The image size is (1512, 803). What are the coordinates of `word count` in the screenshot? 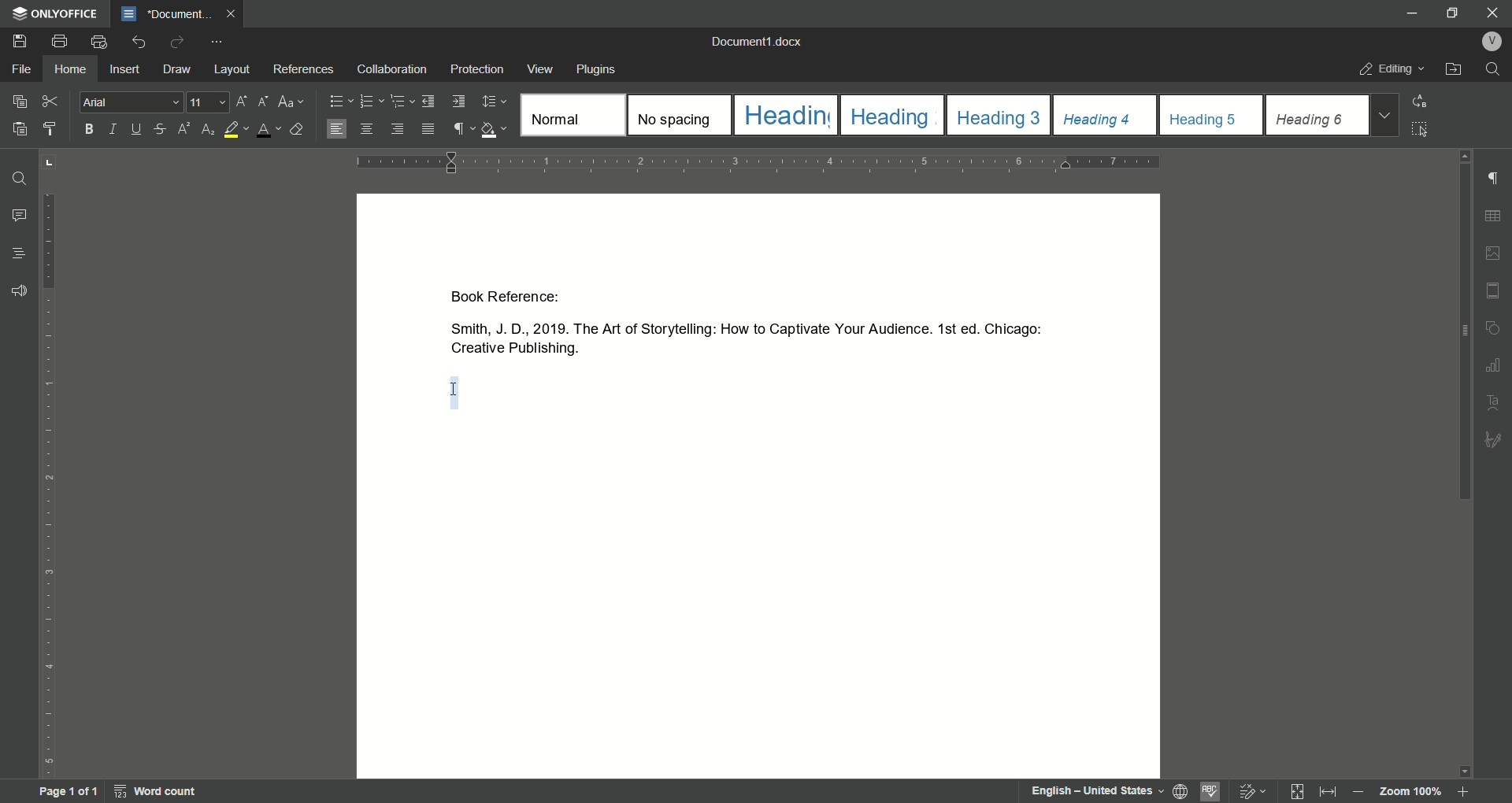 It's located at (157, 791).